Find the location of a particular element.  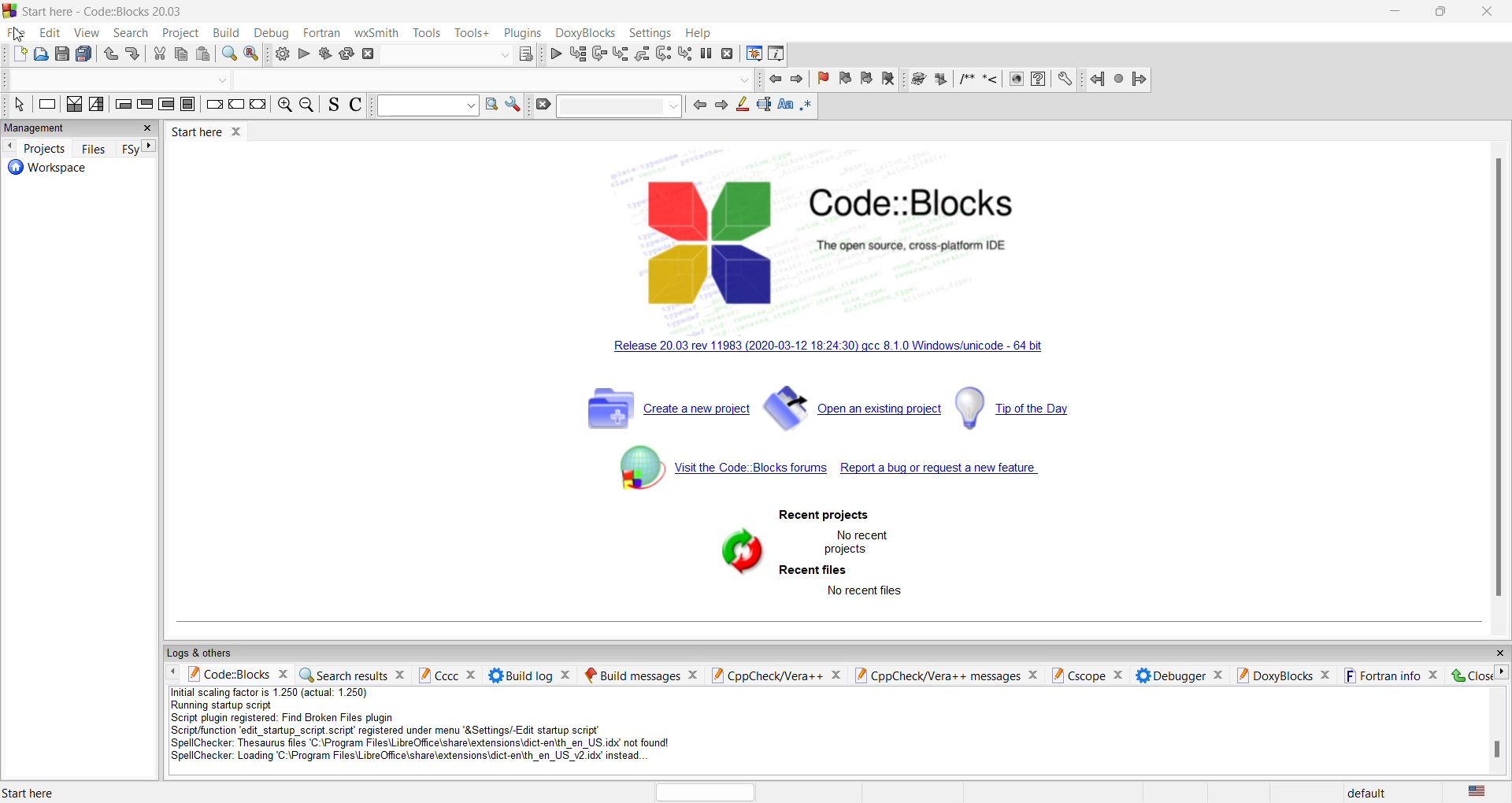

source comments is located at coordinates (335, 106).